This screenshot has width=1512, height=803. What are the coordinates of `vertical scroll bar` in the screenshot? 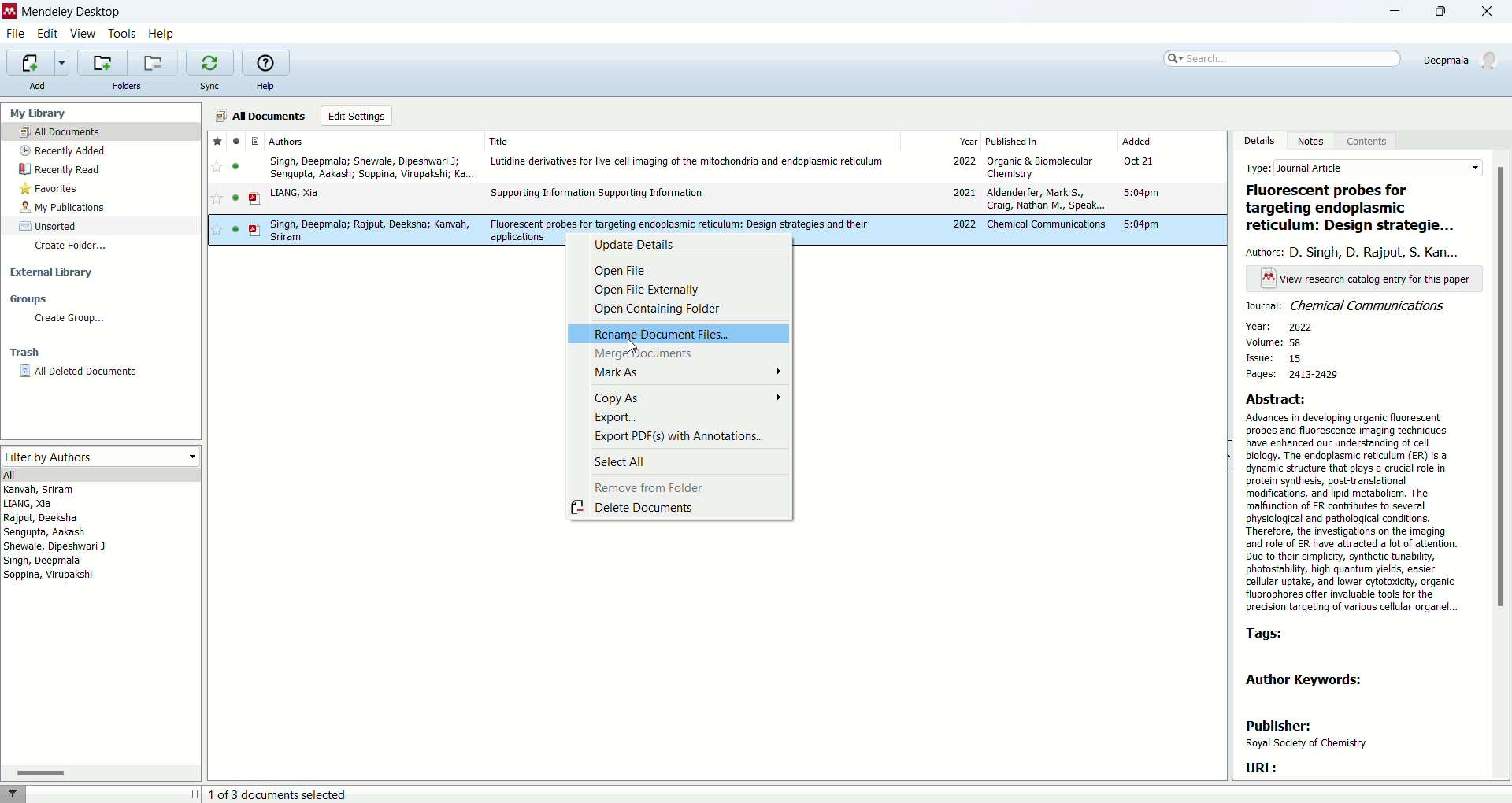 It's located at (1503, 465).